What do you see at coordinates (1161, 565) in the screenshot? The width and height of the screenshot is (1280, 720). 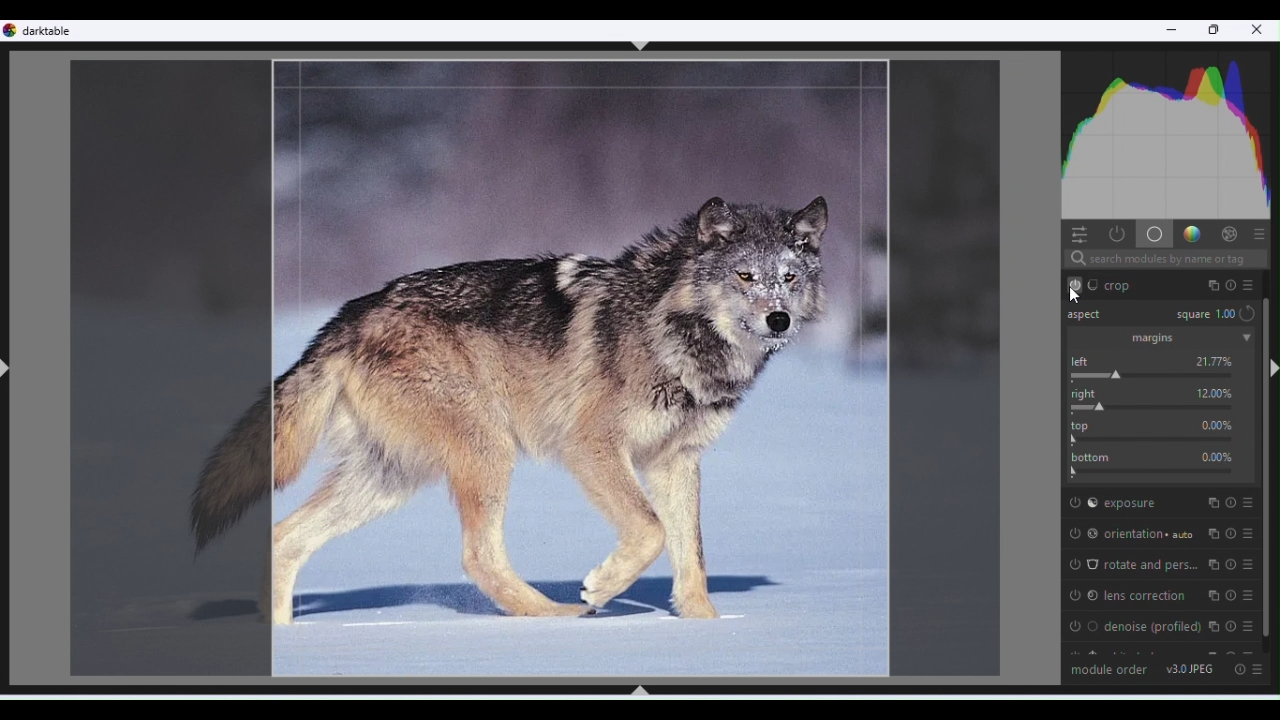 I see `Rotate and perspective` at bounding box center [1161, 565].